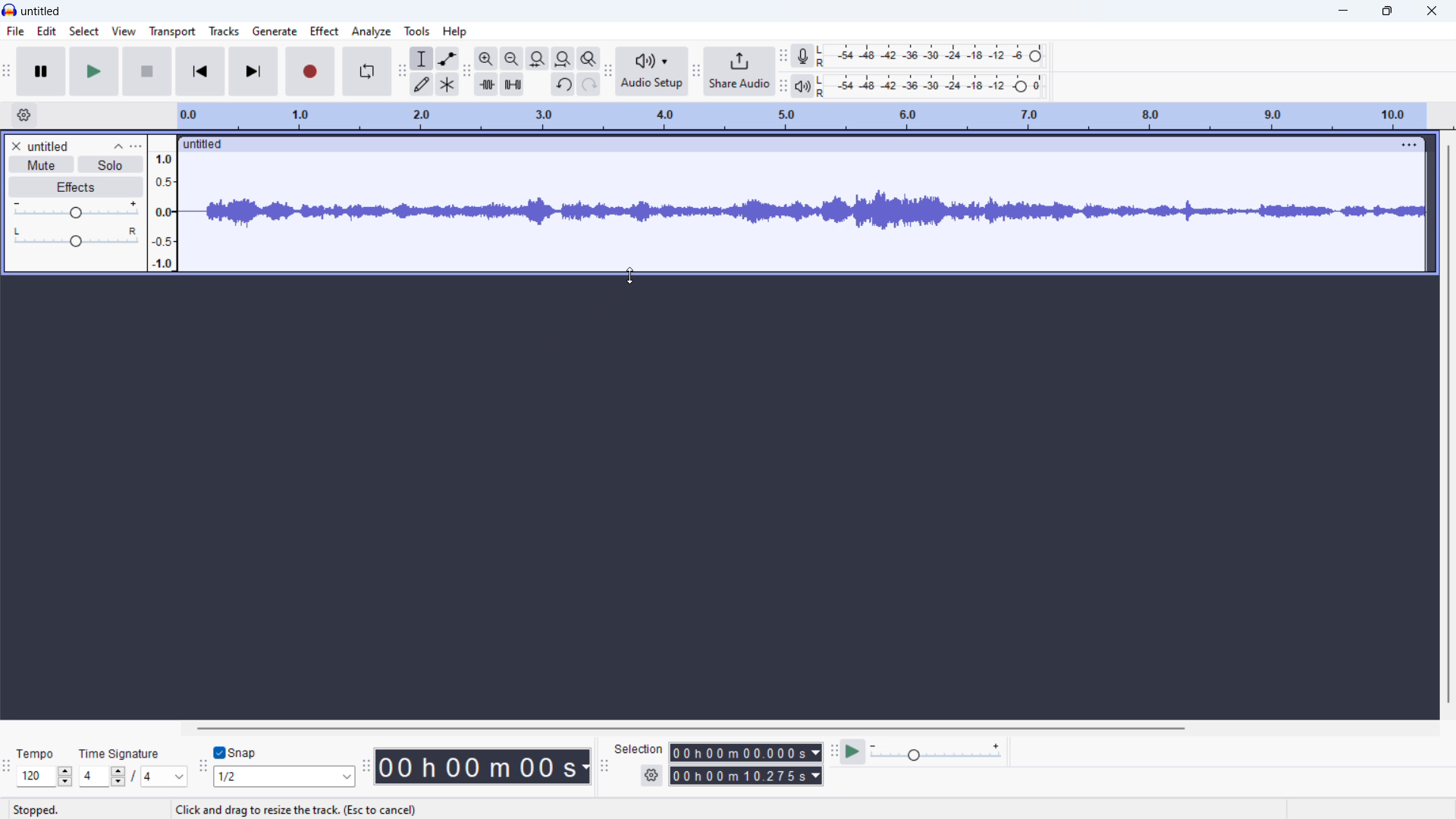 The image size is (1456, 819). Describe the element at coordinates (43, 71) in the screenshot. I see `pause` at that location.